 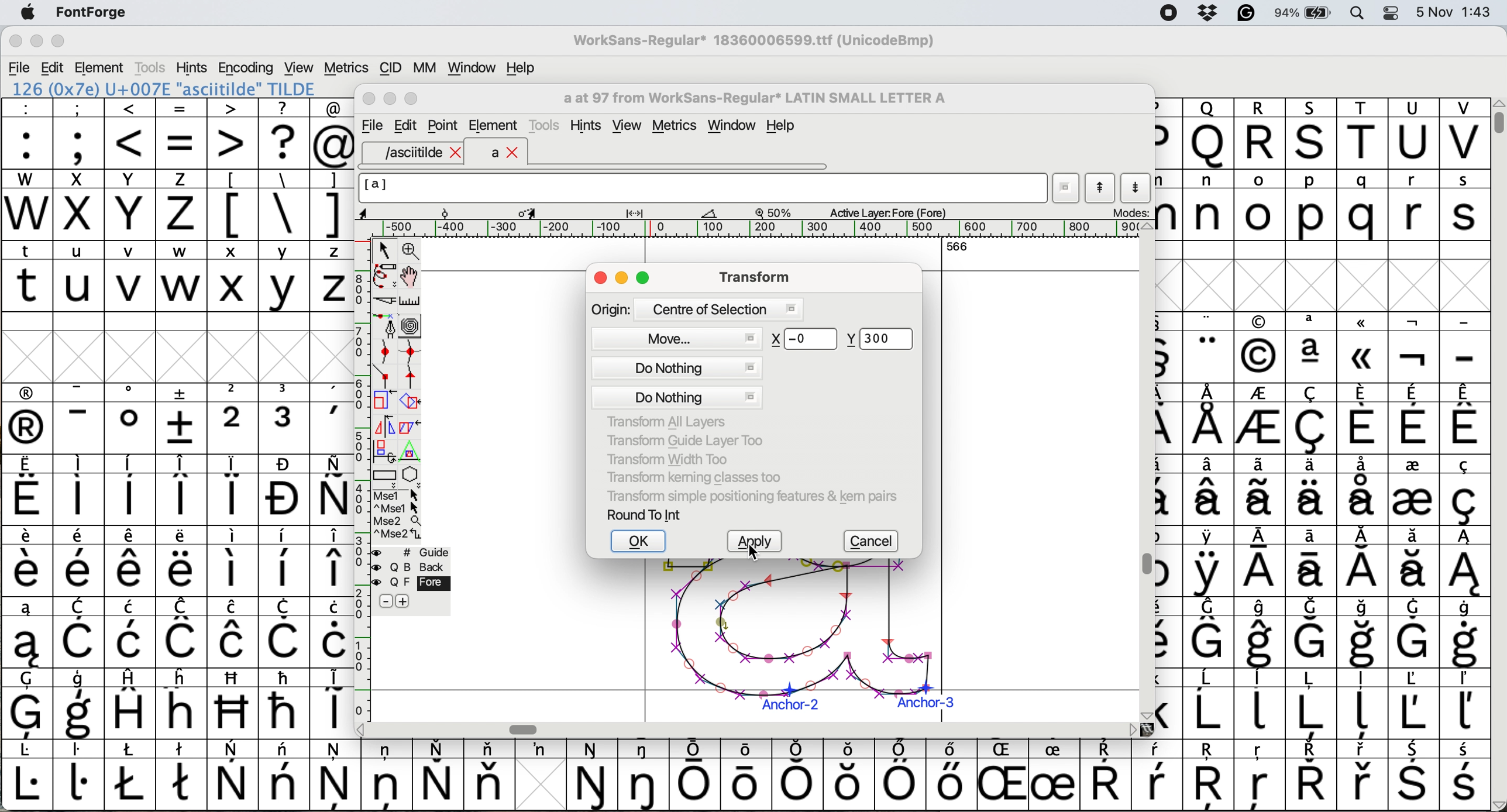 What do you see at coordinates (391, 99) in the screenshot?
I see `Minimise` at bounding box center [391, 99].